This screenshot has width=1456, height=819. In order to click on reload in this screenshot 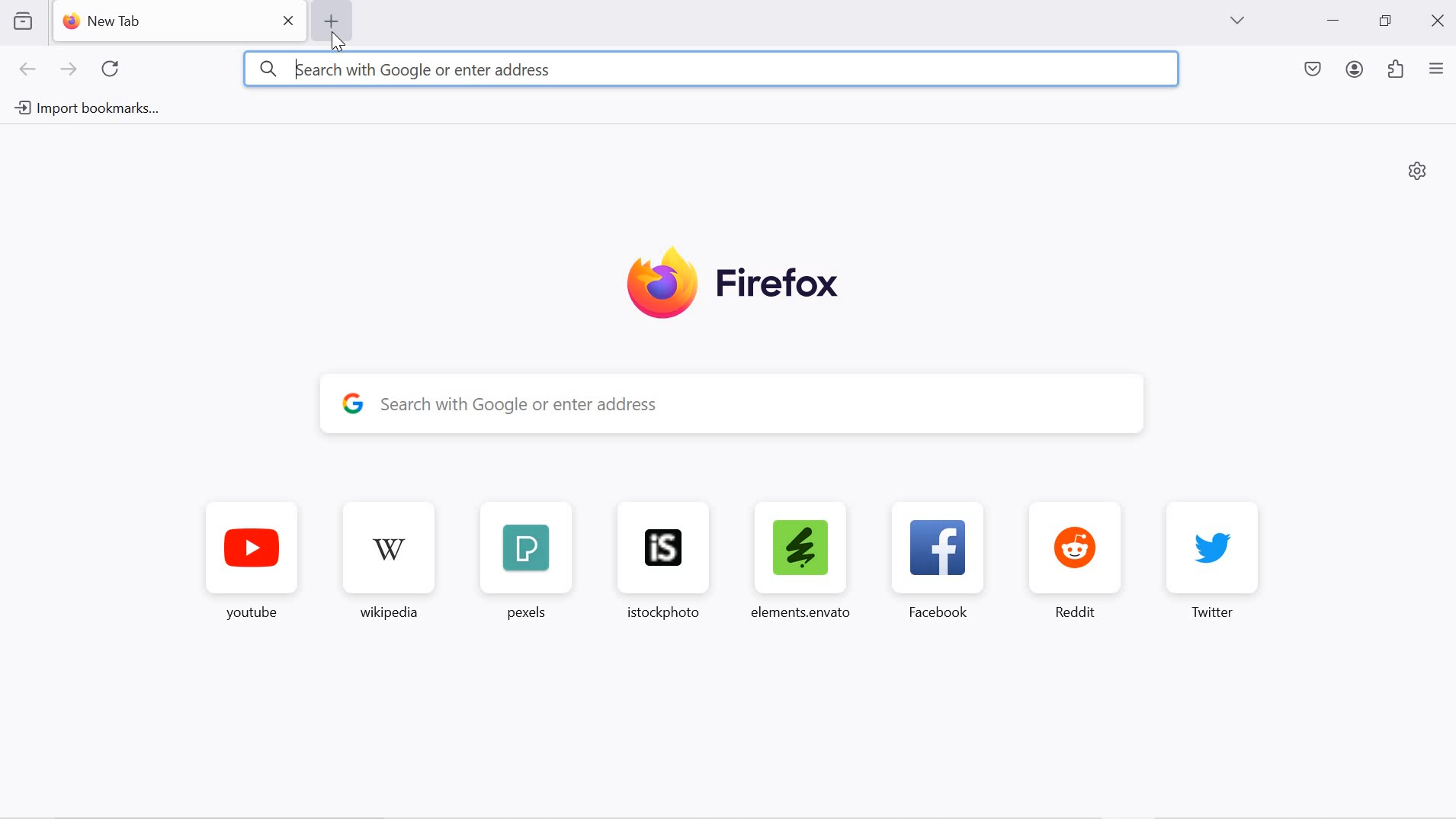, I will do `click(112, 69)`.